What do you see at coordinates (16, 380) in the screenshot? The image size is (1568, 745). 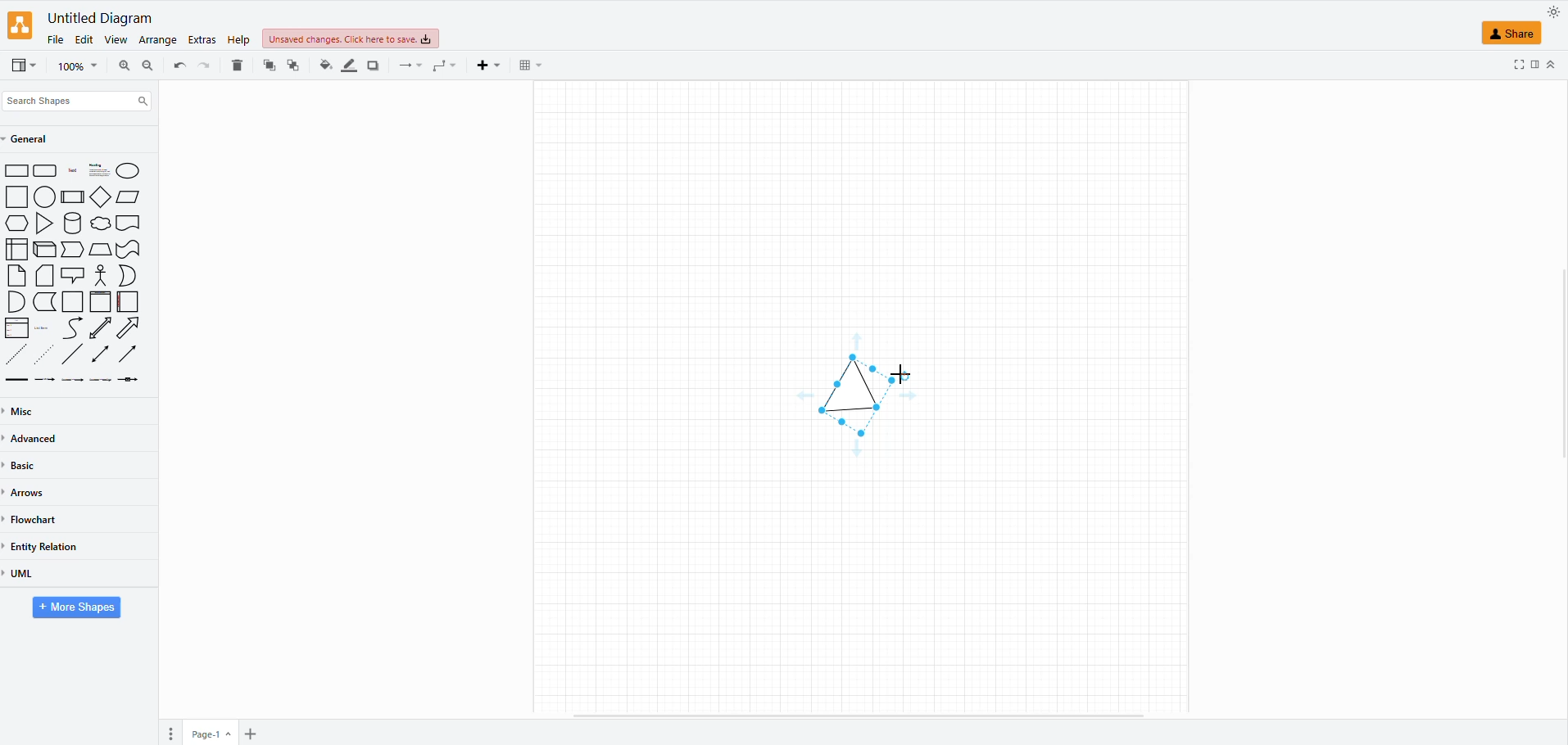 I see `Thick Line` at bounding box center [16, 380].